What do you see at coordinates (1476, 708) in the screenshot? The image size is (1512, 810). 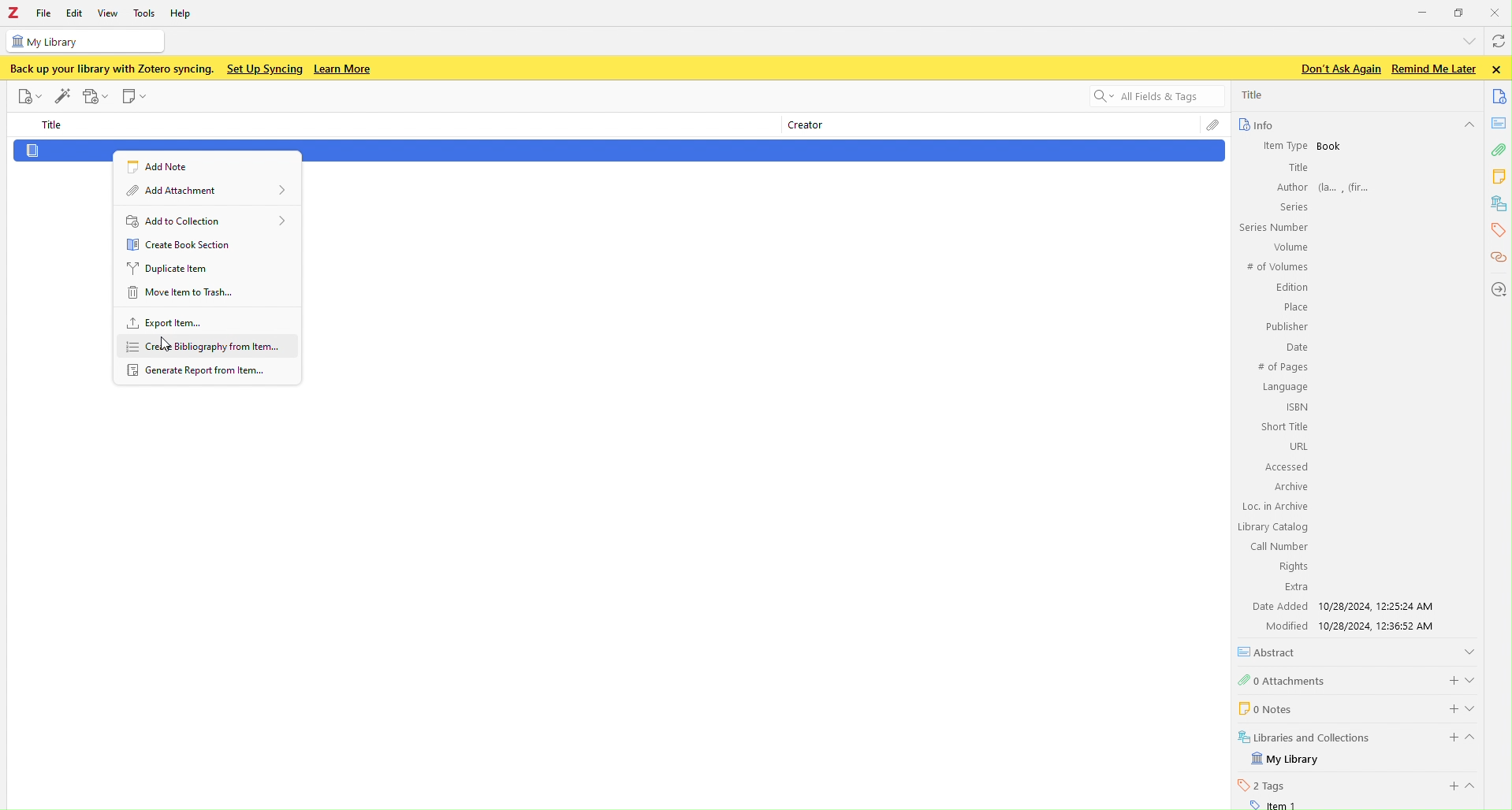 I see `show` at bounding box center [1476, 708].